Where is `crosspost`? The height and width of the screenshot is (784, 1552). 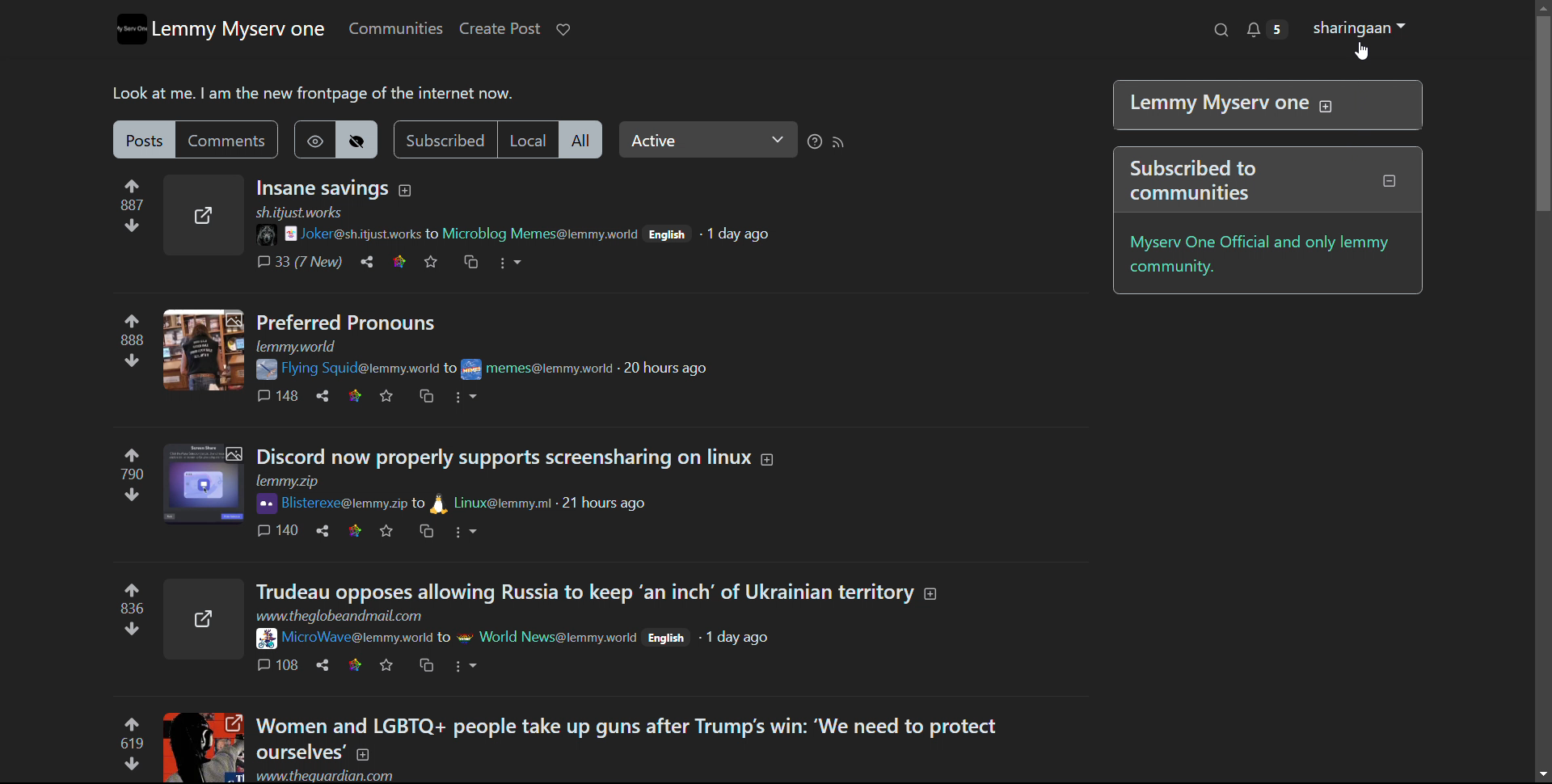 crosspost is located at coordinates (426, 531).